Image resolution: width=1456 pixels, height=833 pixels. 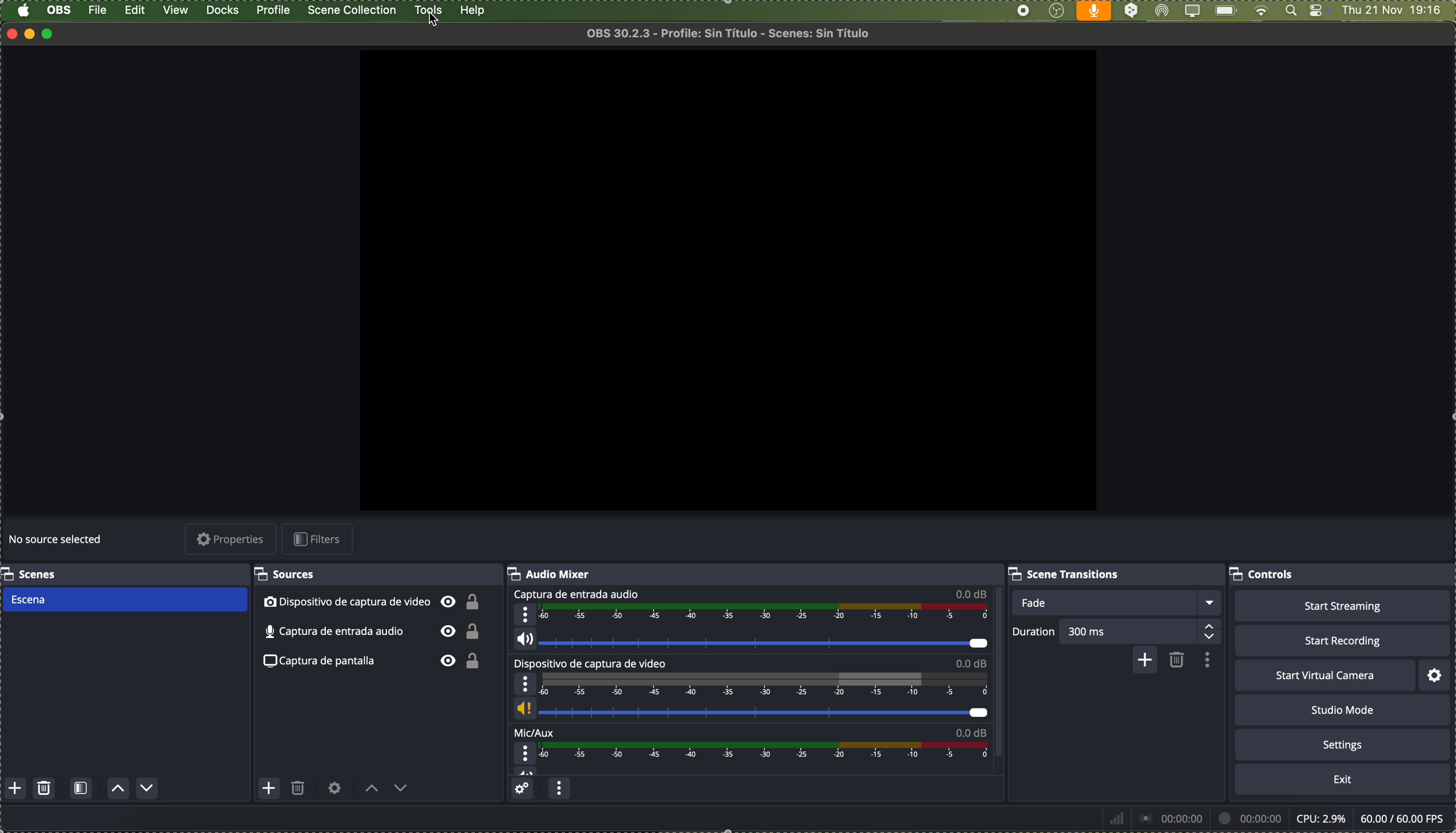 What do you see at coordinates (223, 11) in the screenshot?
I see `docks` at bounding box center [223, 11].